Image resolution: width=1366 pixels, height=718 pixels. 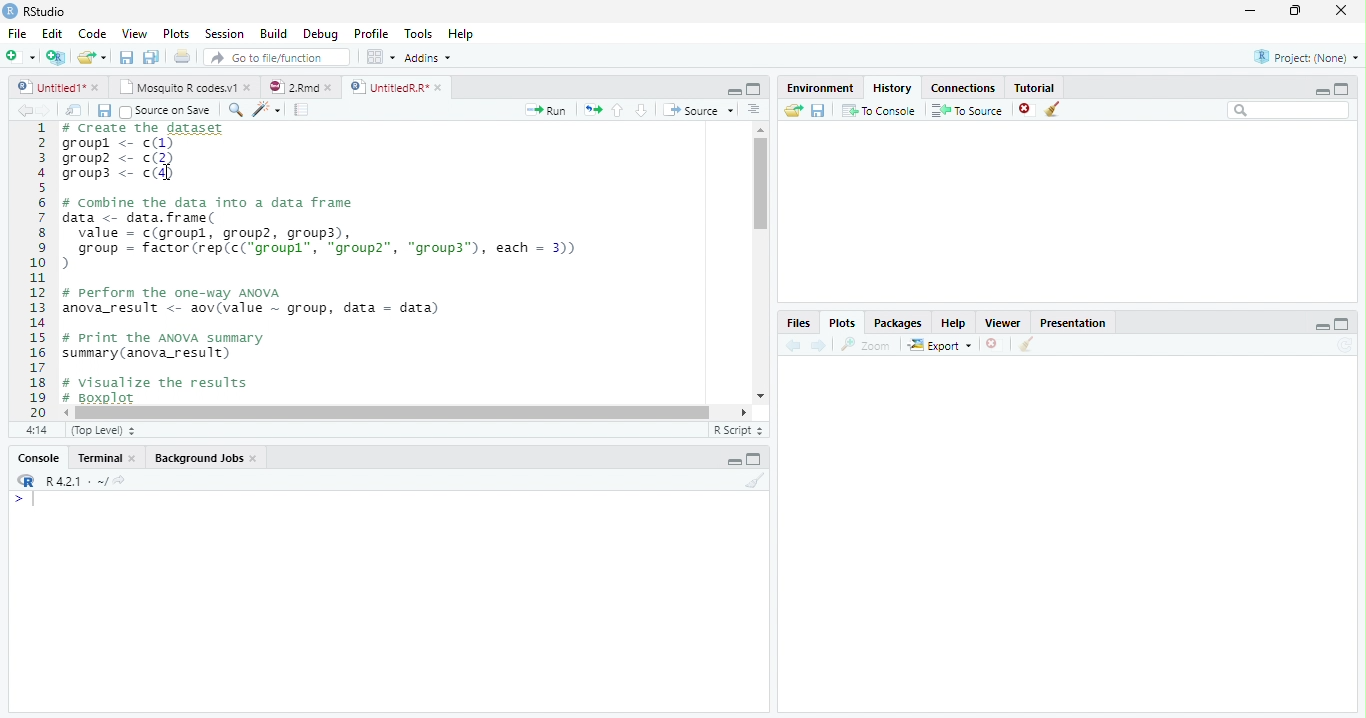 I want to click on Minimize, so click(x=1322, y=328).